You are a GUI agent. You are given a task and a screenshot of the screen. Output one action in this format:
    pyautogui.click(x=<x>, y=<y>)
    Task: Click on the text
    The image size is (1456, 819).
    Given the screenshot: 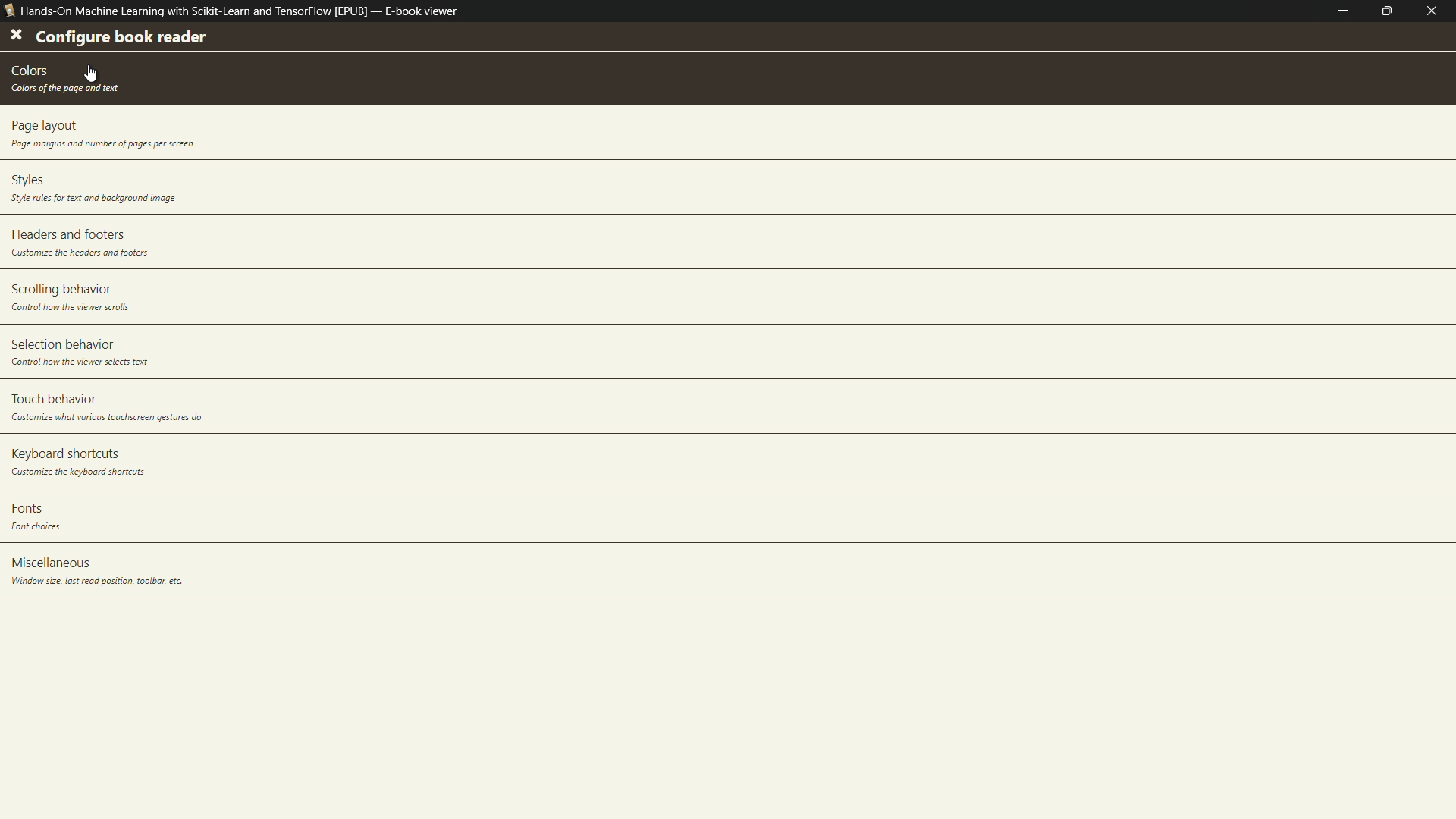 What is the action you would take?
    pyautogui.click(x=101, y=145)
    